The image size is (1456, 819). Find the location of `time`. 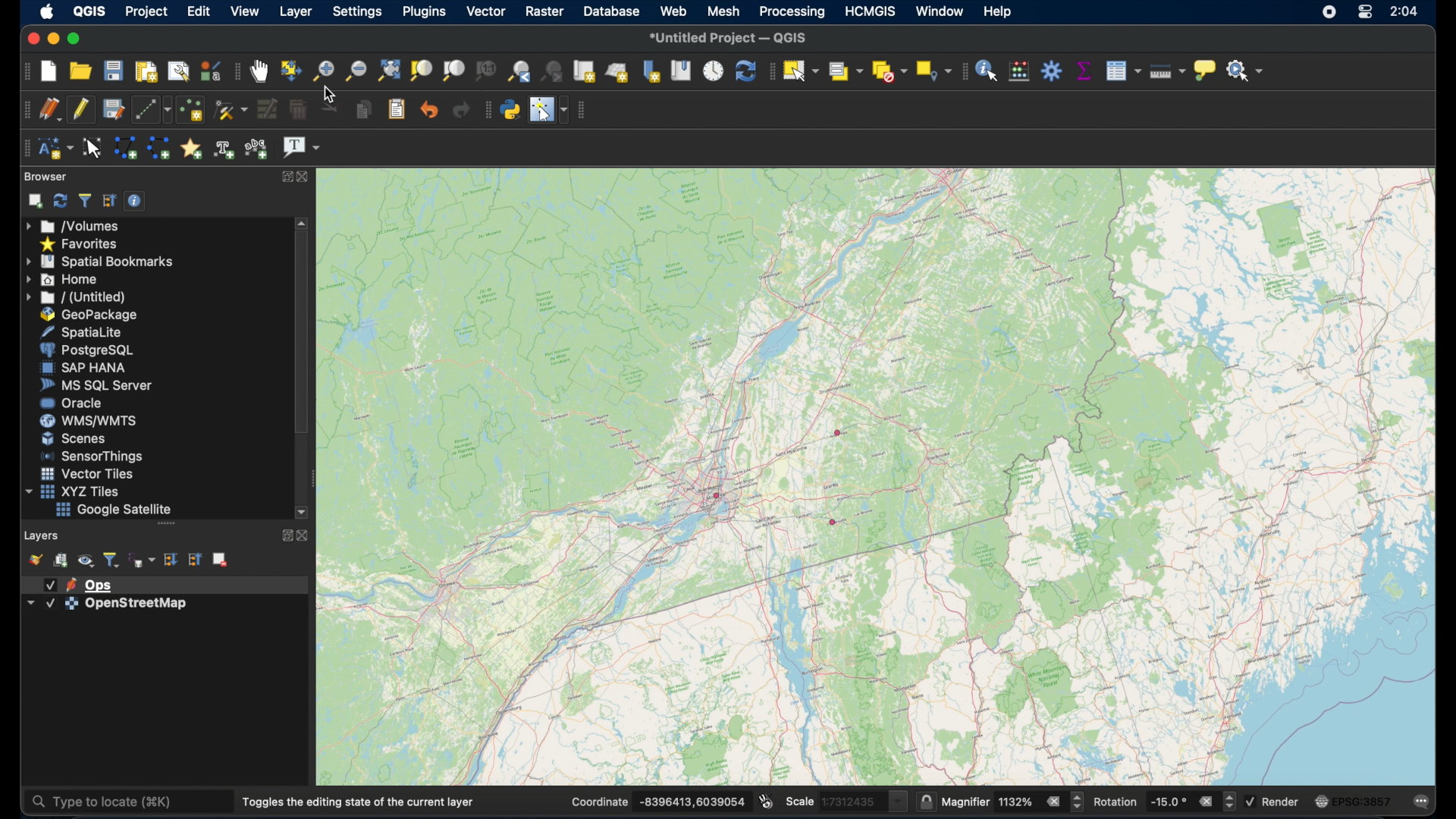

time is located at coordinates (1403, 11).